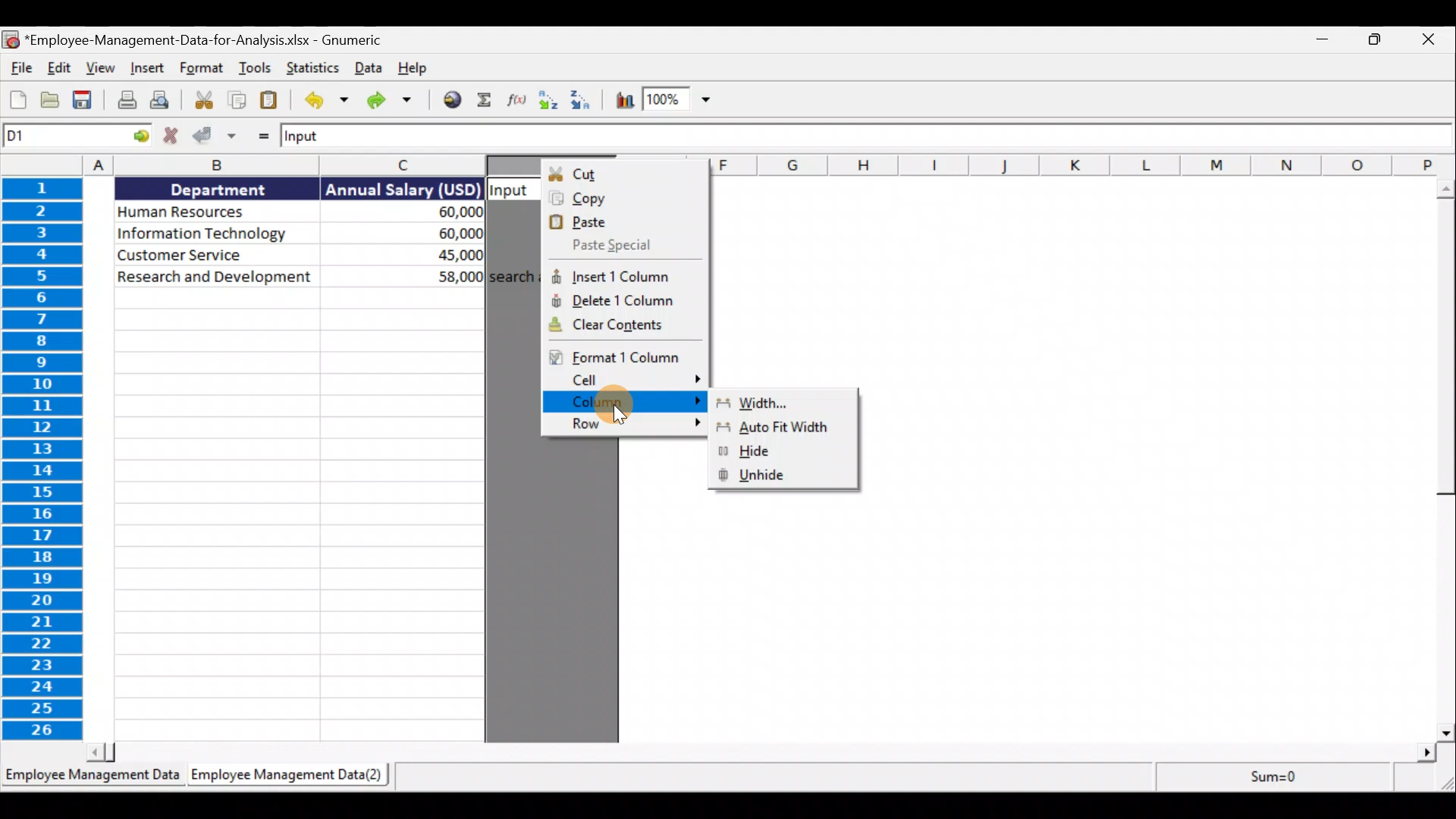  What do you see at coordinates (261, 136) in the screenshot?
I see `Enter formula` at bounding box center [261, 136].